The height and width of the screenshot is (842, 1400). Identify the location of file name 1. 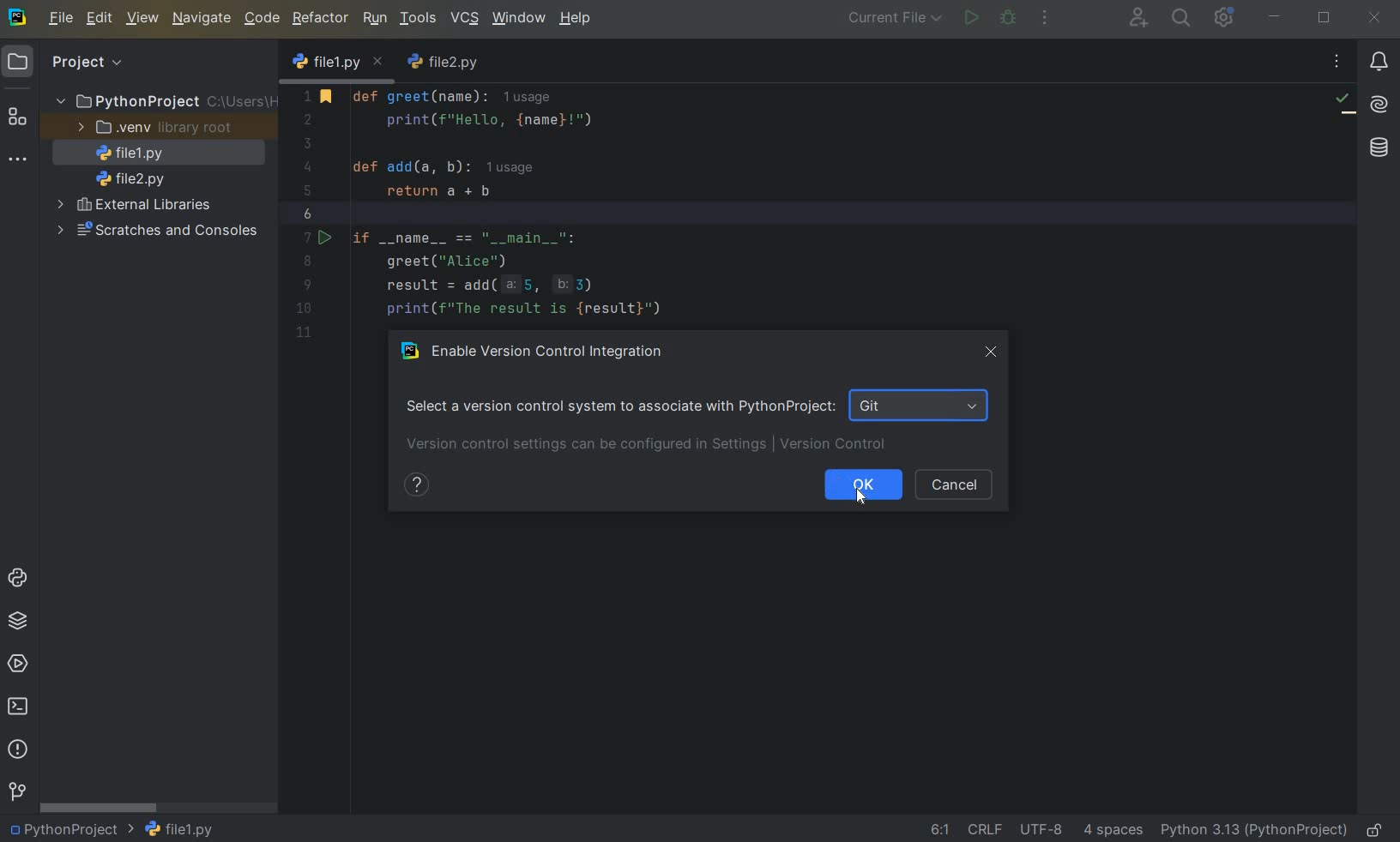
(338, 63).